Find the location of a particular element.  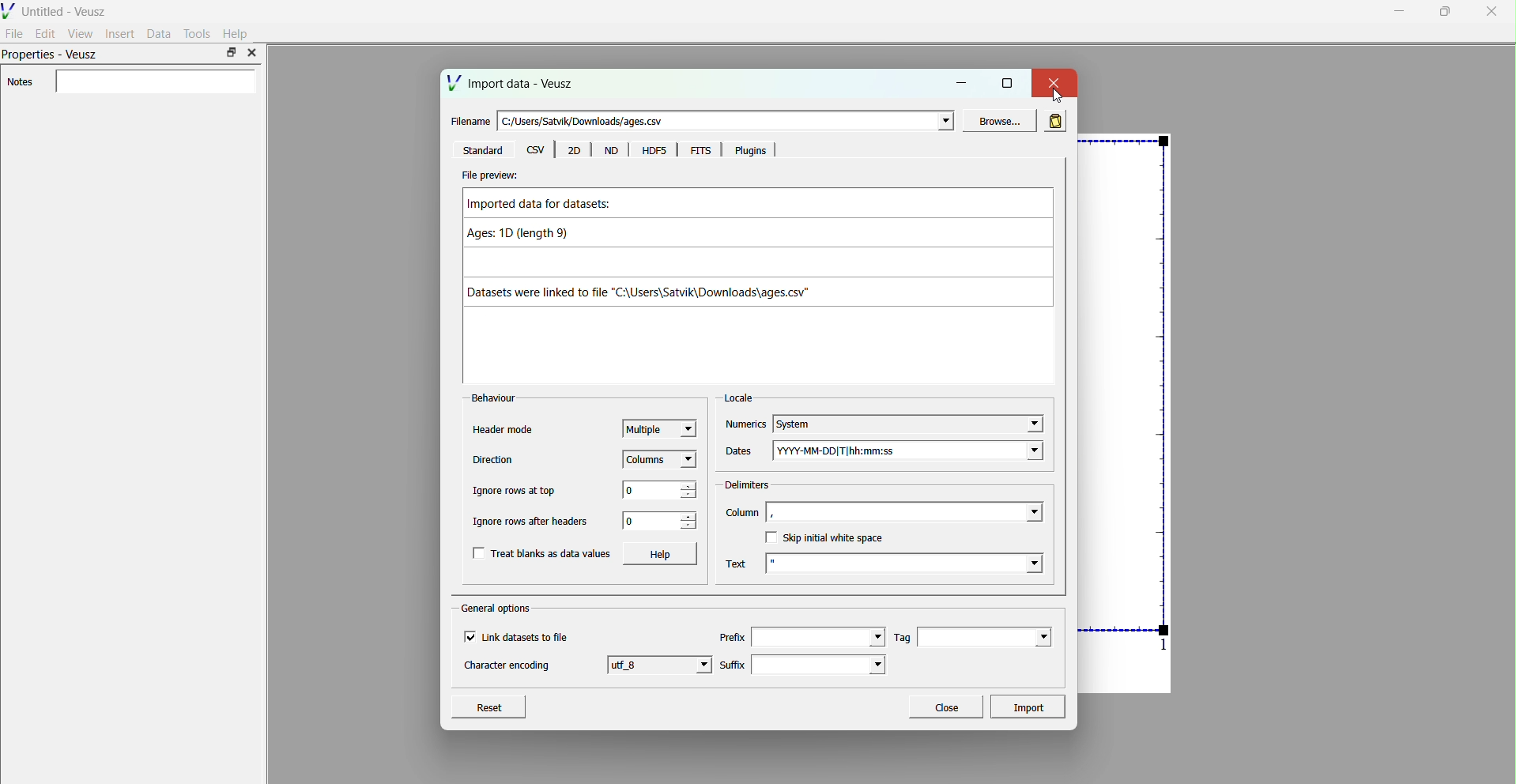

FITS is located at coordinates (701, 151).